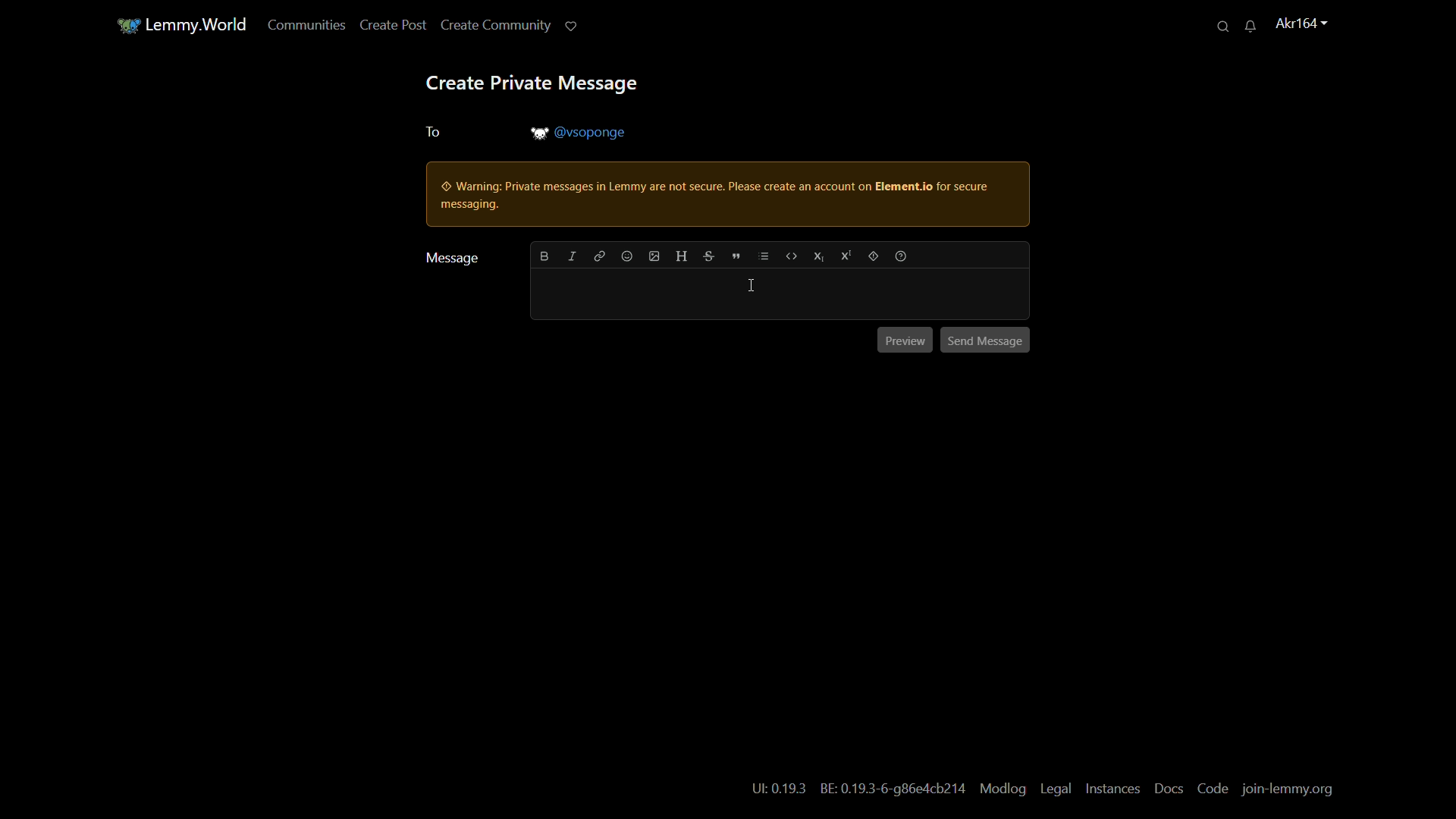  What do you see at coordinates (858, 789) in the screenshot?
I see `text` at bounding box center [858, 789].